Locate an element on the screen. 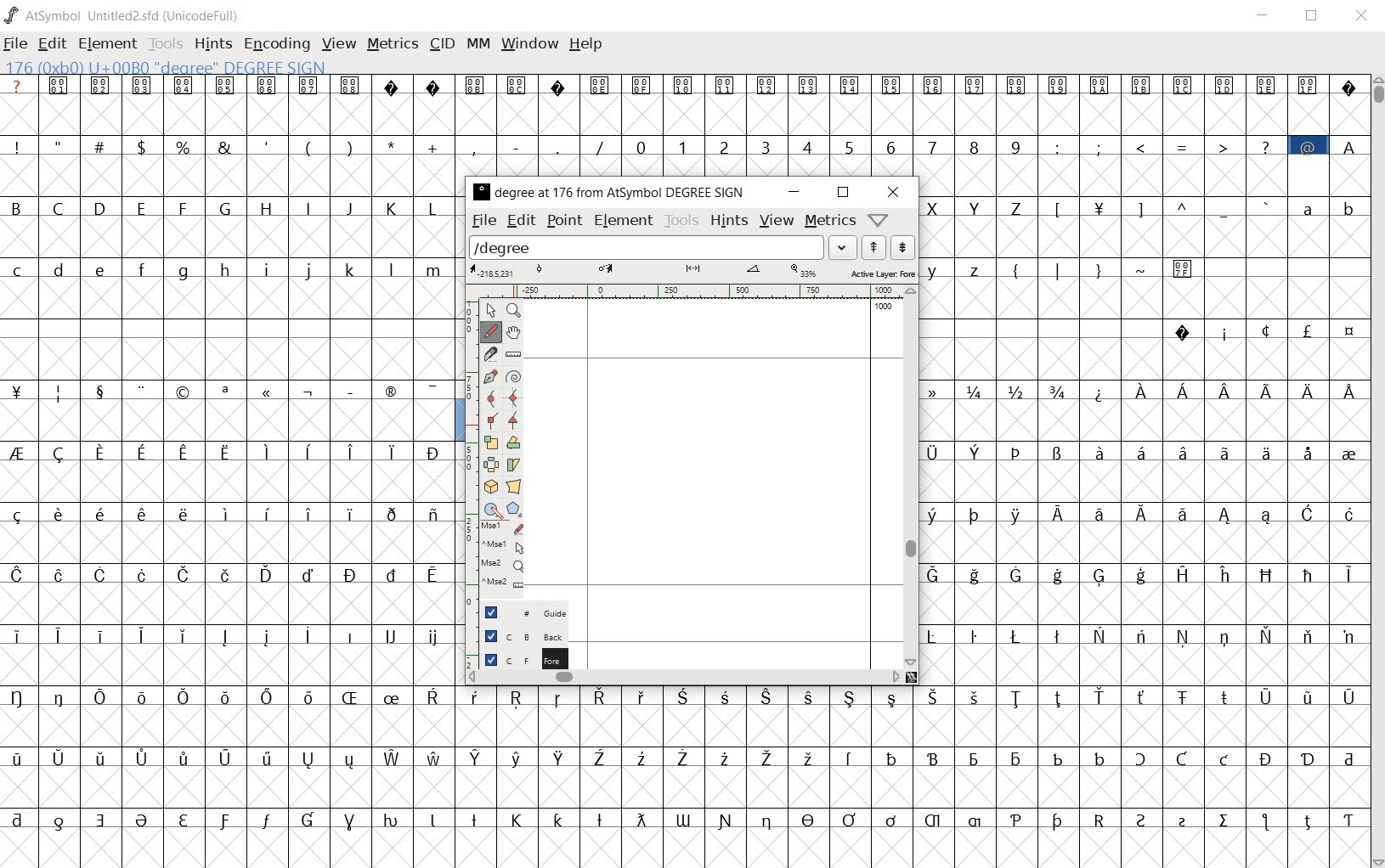  special letters is located at coordinates (233, 633).